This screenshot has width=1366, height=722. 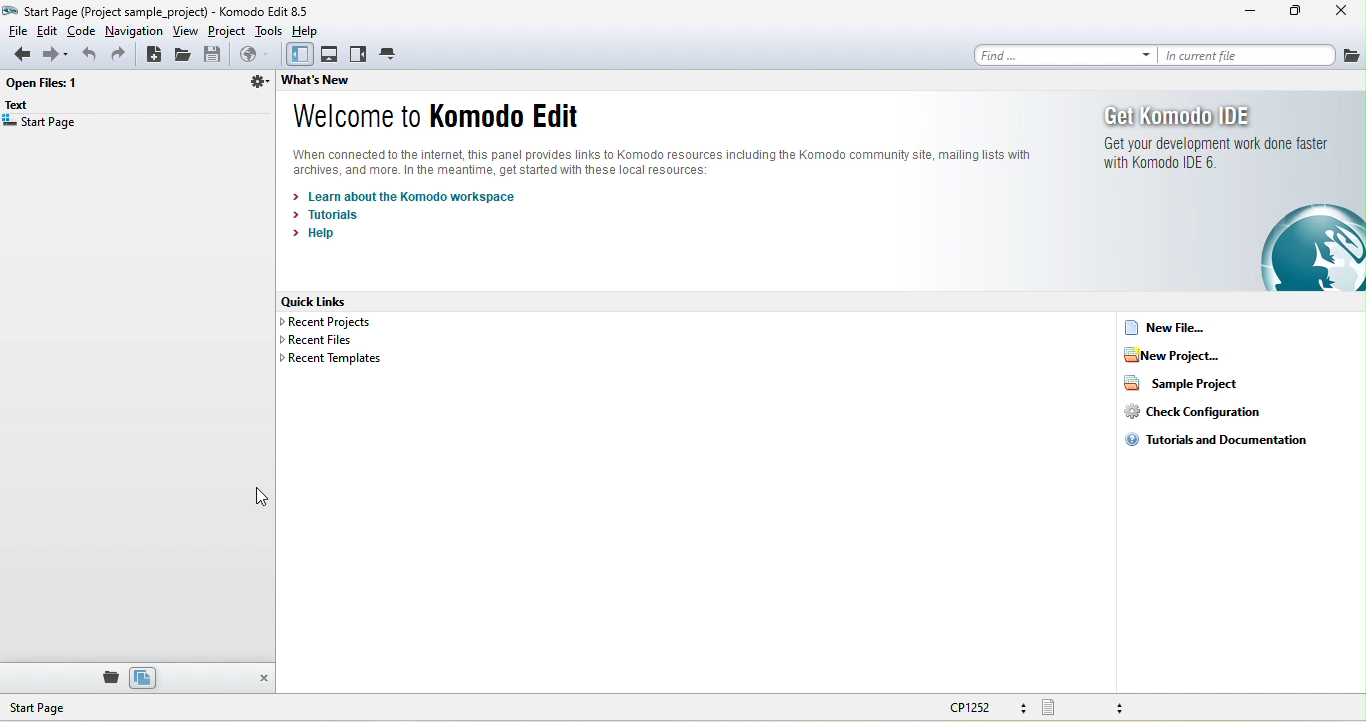 I want to click on code, so click(x=82, y=30).